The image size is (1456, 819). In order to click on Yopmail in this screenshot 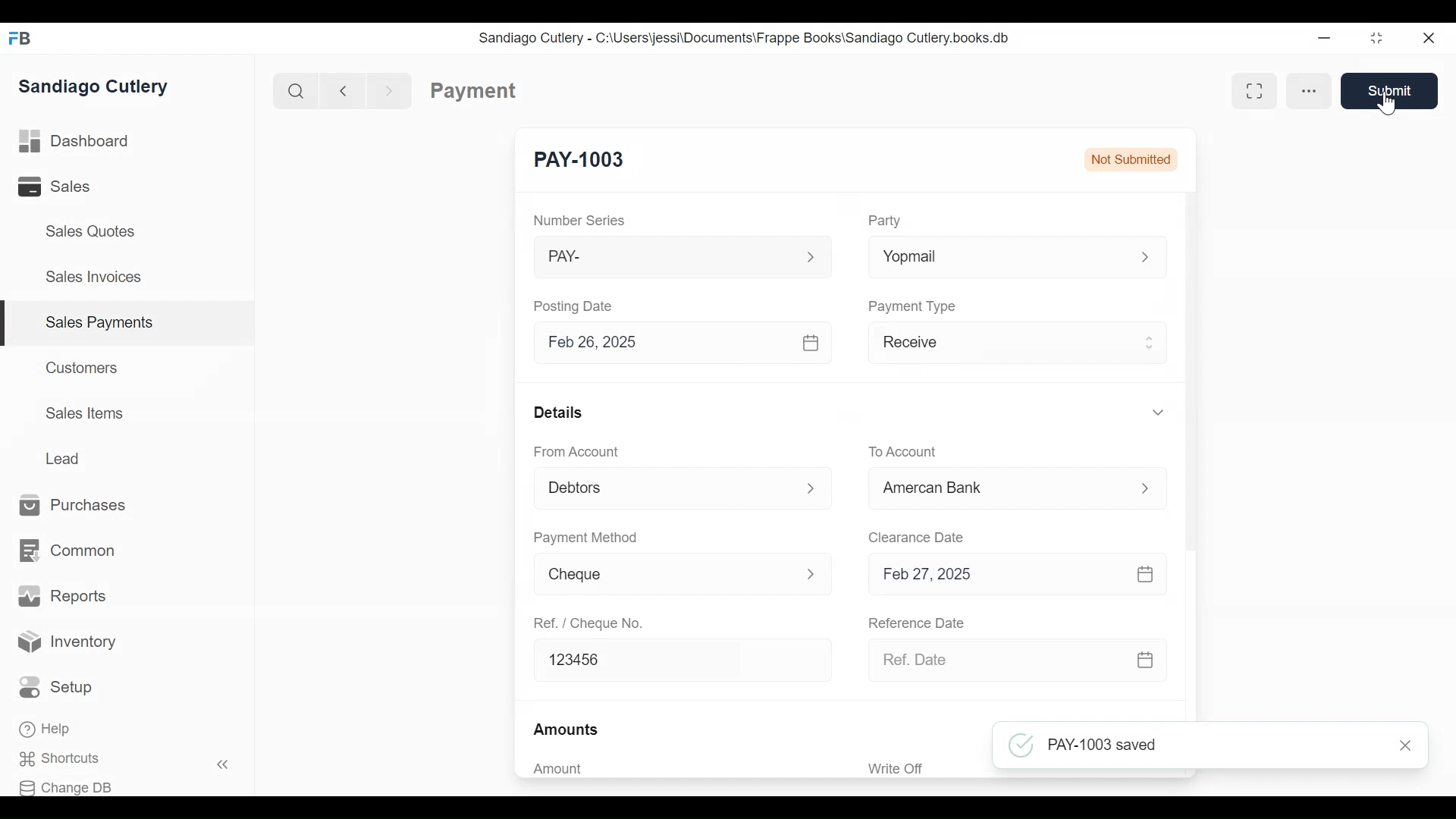, I will do `click(996, 255)`.